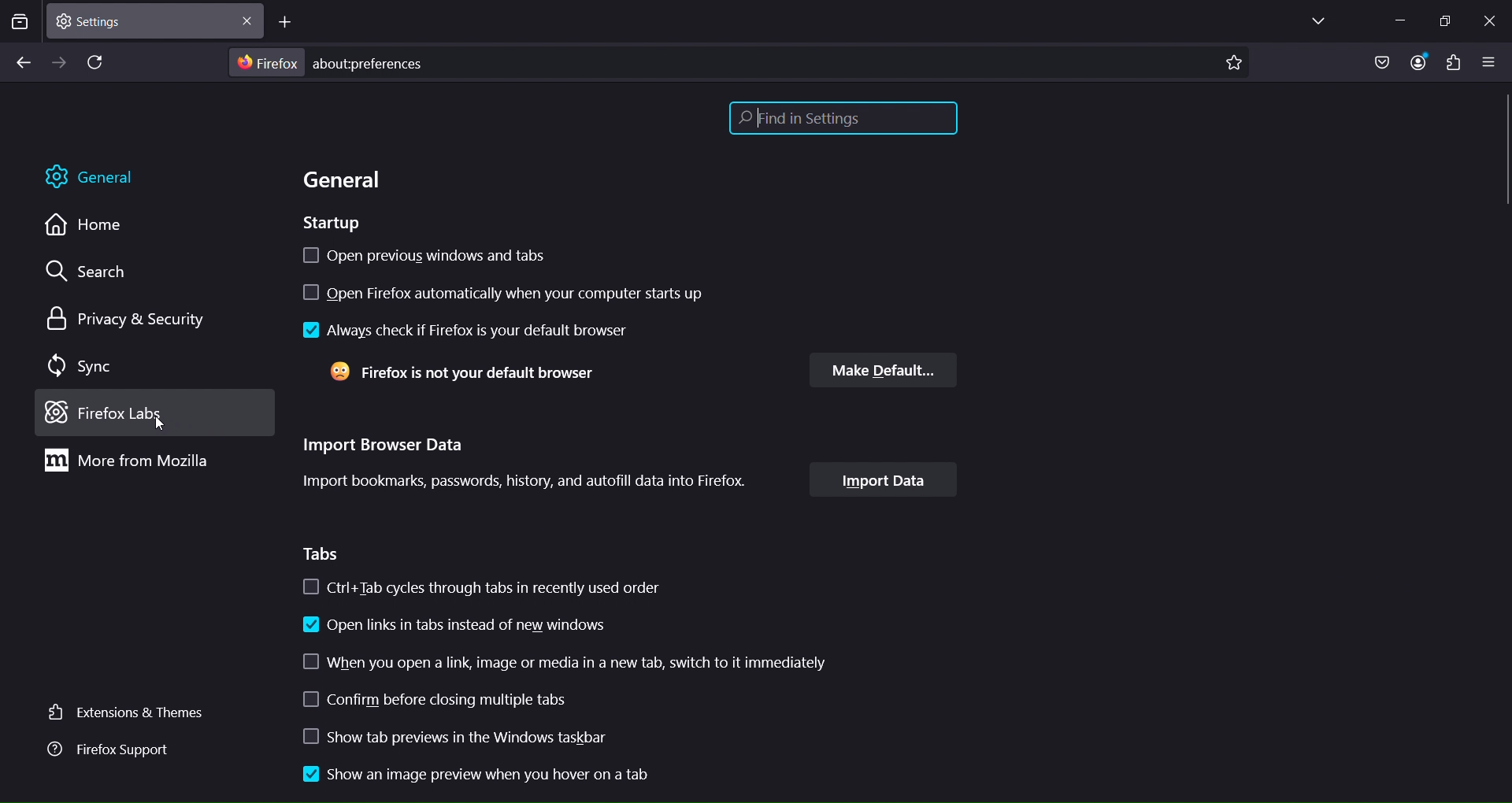 This screenshot has height=803, width=1512. Describe the element at coordinates (1313, 22) in the screenshot. I see `list all tabs` at that location.